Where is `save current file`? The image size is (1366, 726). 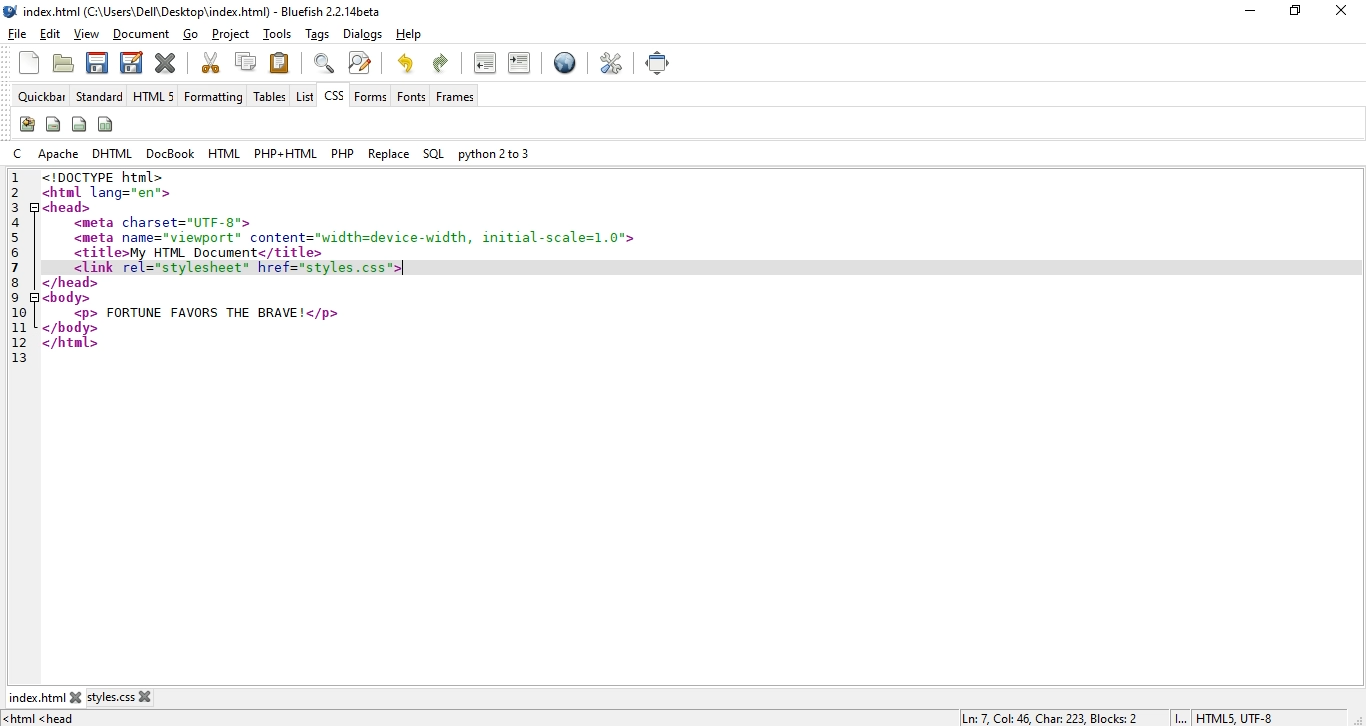
save current file is located at coordinates (96, 61).